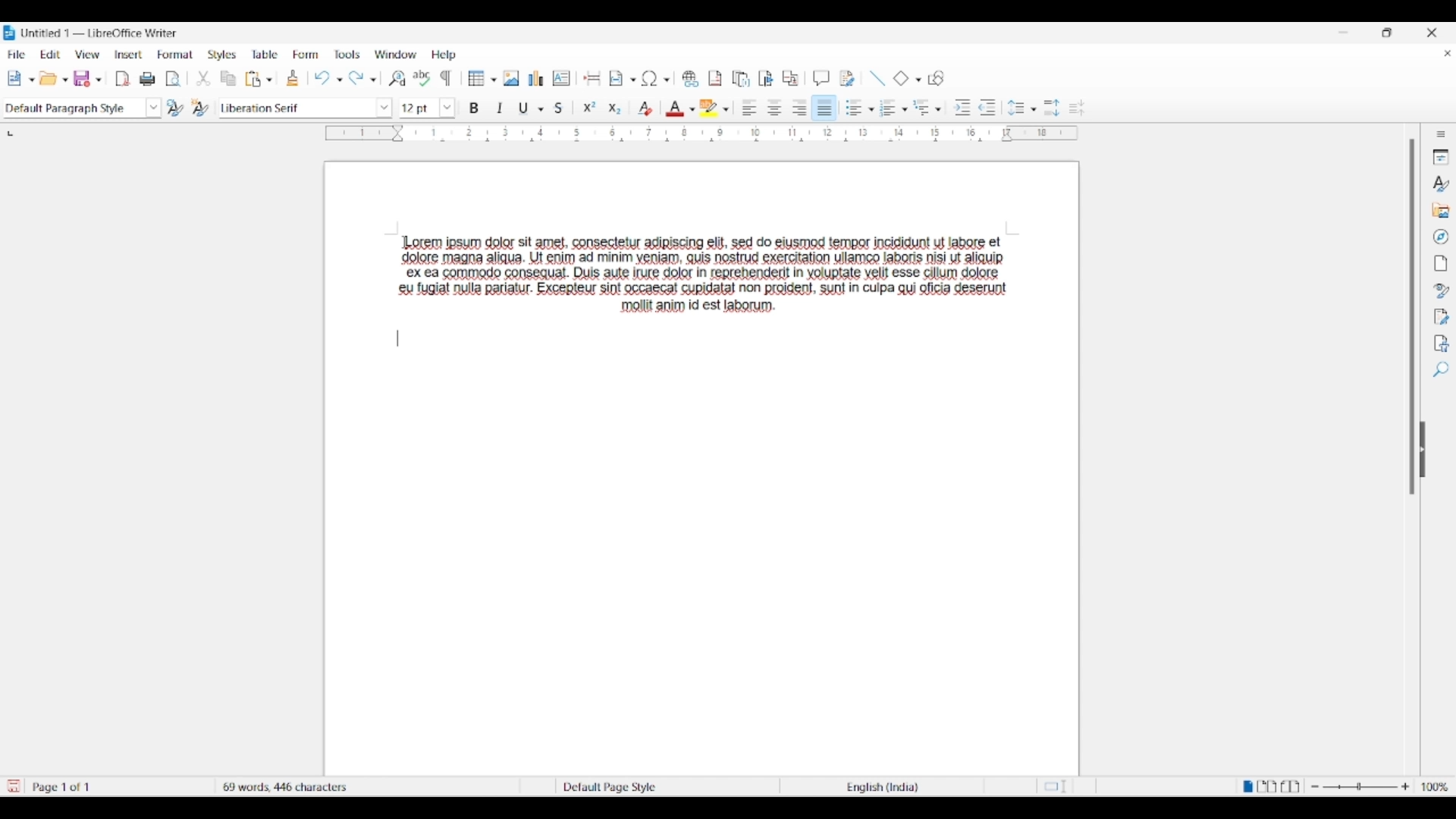 This screenshot has height=819, width=1456. I want to click on Navigator, so click(1441, 237).